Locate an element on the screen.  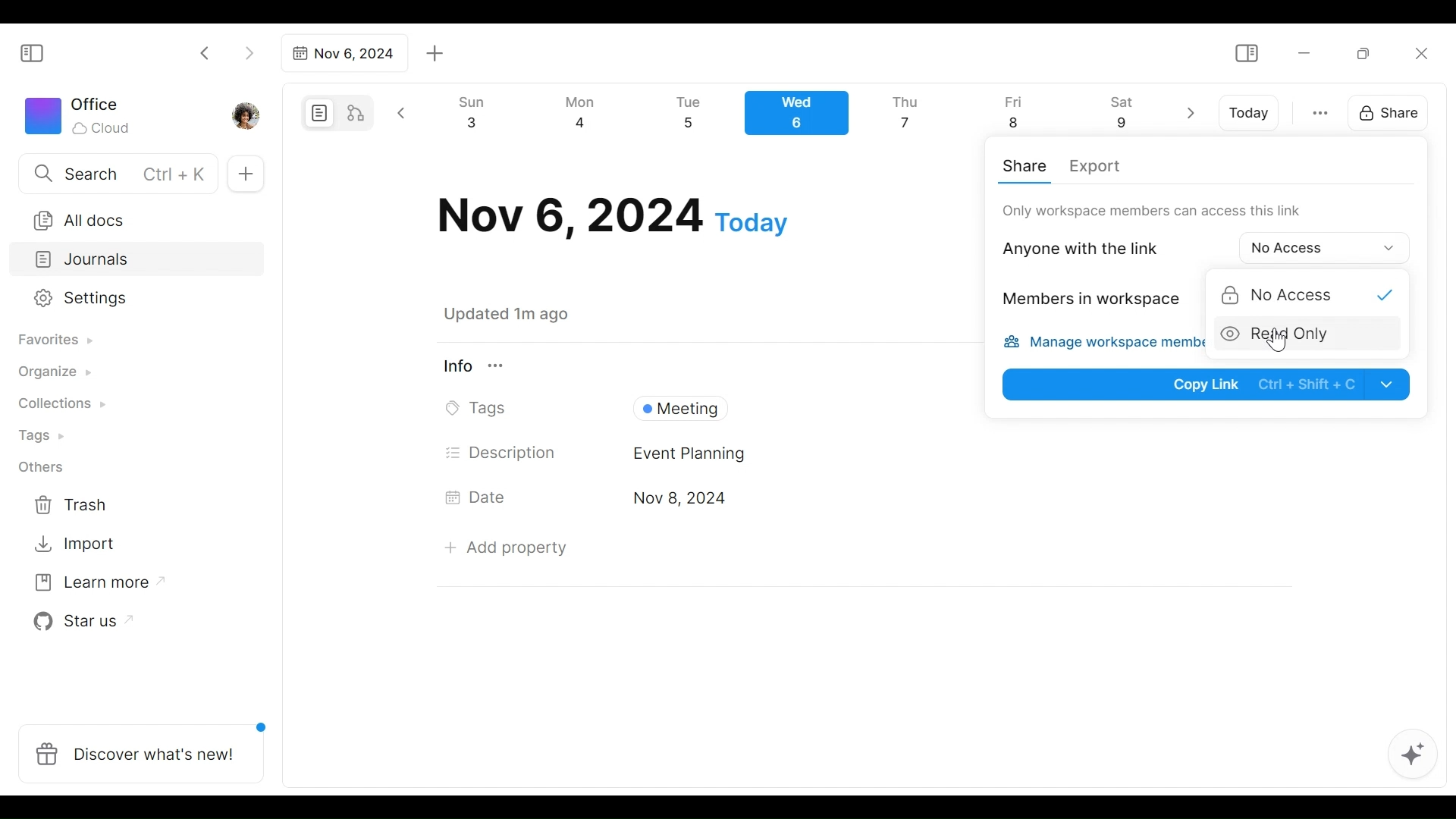
Add new tab is located at coordinates (435, 54).